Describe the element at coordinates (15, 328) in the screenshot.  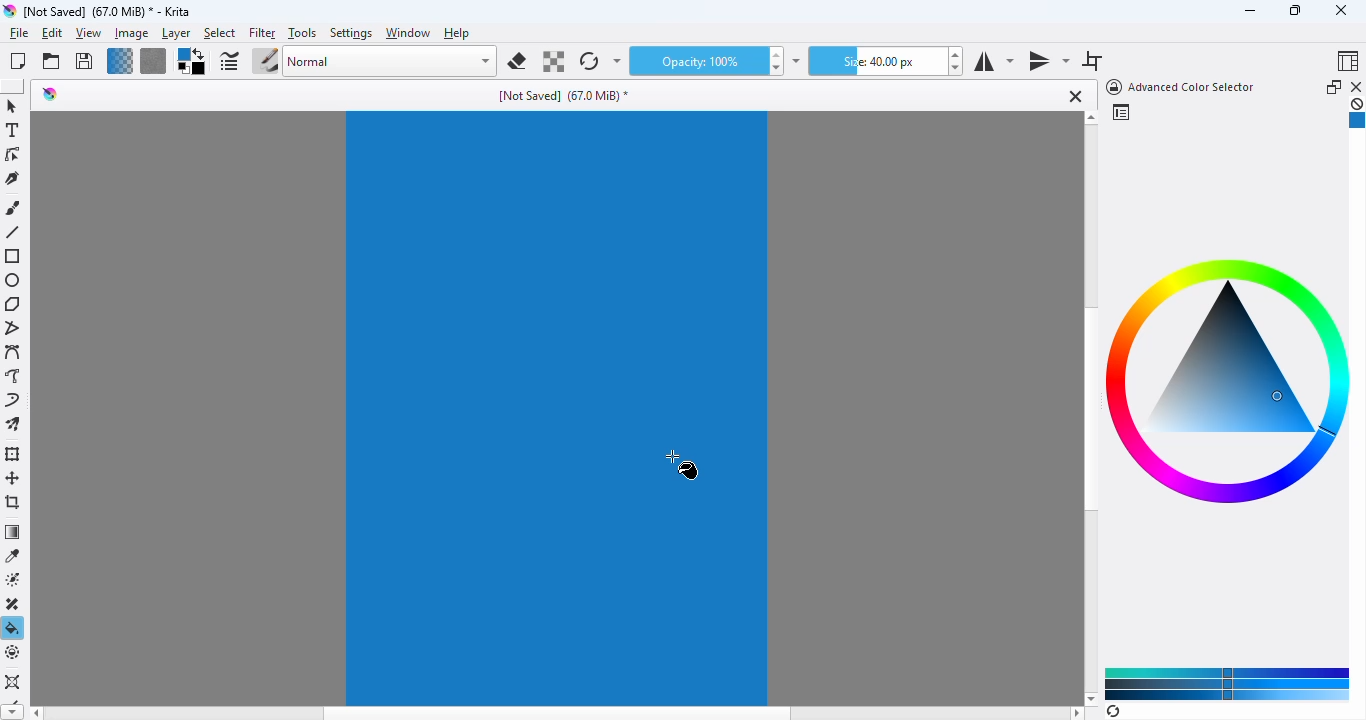
I see `polyline tool` at that location.